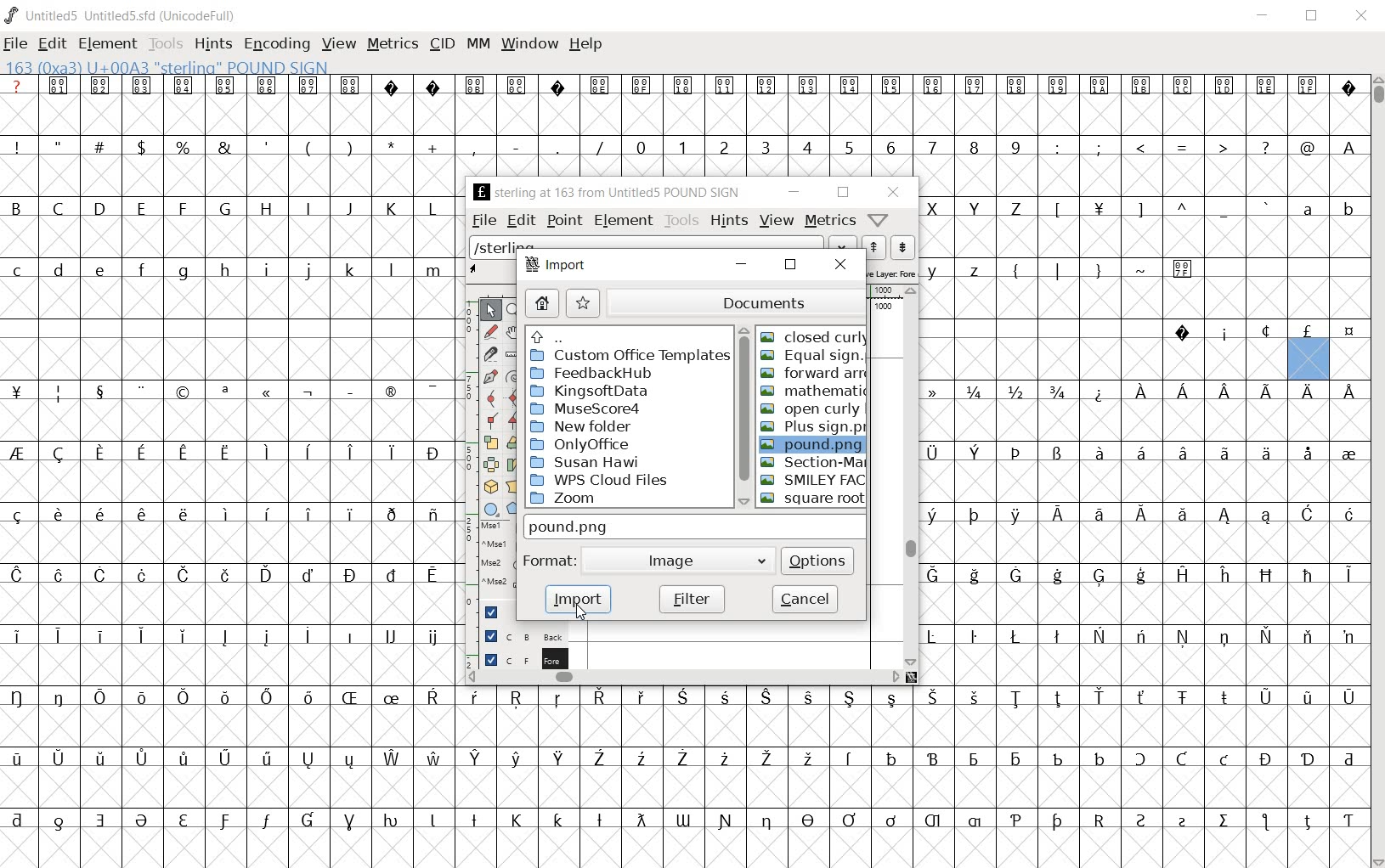 This screenshot has height=868, width=1385. Describe the element at coordinates (1143, 760) in the screenshot. I see `Symbol` at that location.